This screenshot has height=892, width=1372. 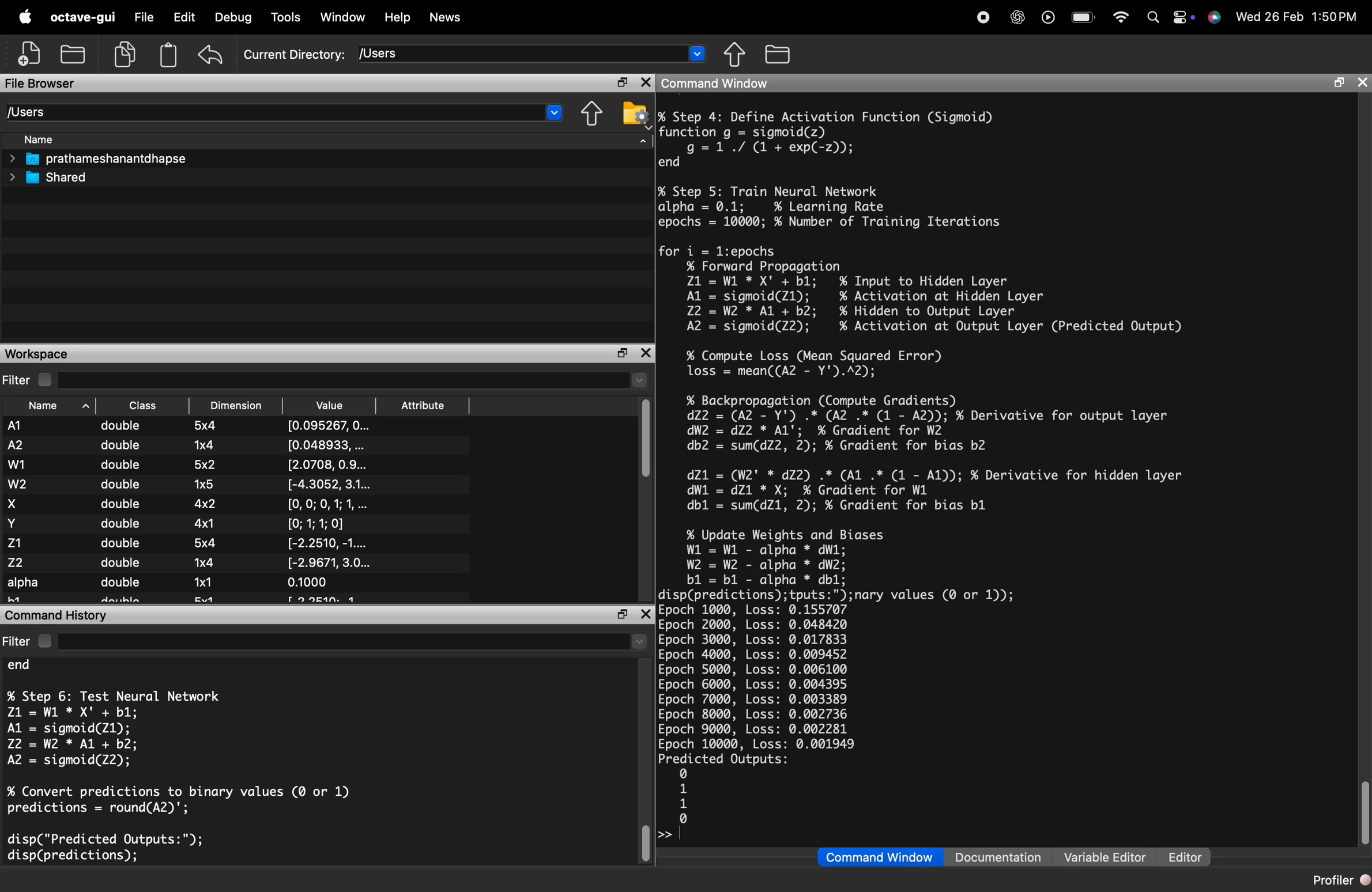 What do you see at coordinates (330, 483) in the screenshot?
I see `[-4.3052, 3.1...` at bounding box center [330, 483].